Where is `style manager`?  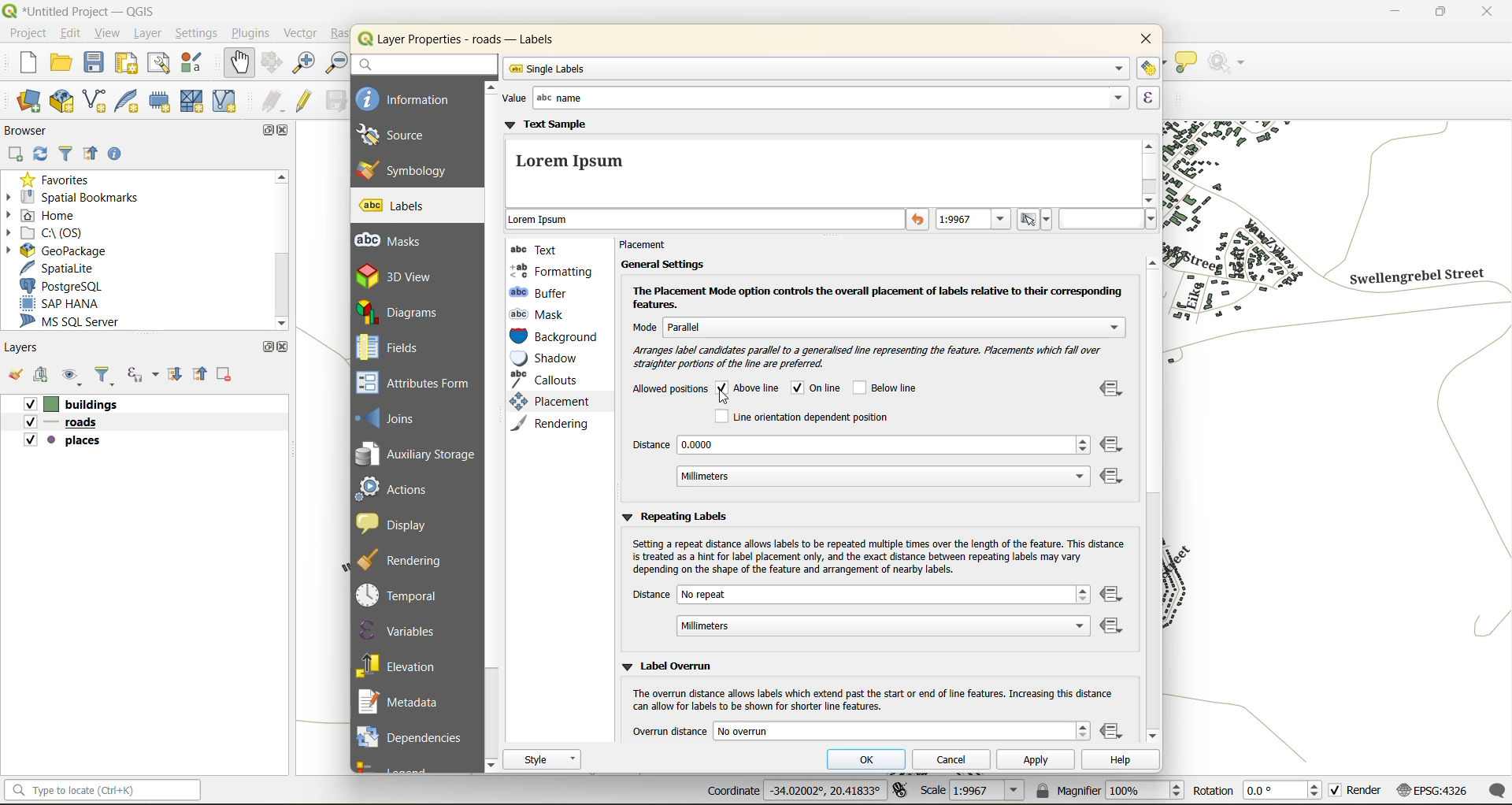
style manager is located at coordinates (198, 65).